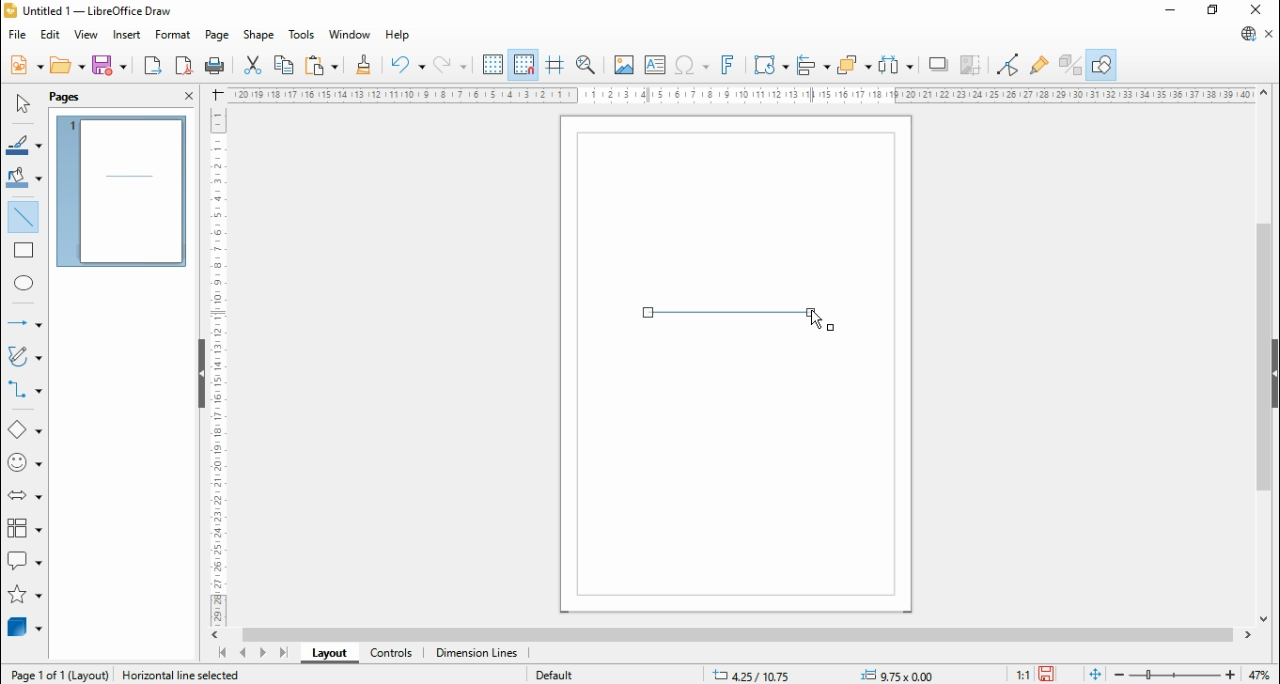 The width and height of the screenshot is (1280, 684). What do you see at coordinates (1214, 11) in the screenshot?
I see `restore` at bounding box center [1214, 11].